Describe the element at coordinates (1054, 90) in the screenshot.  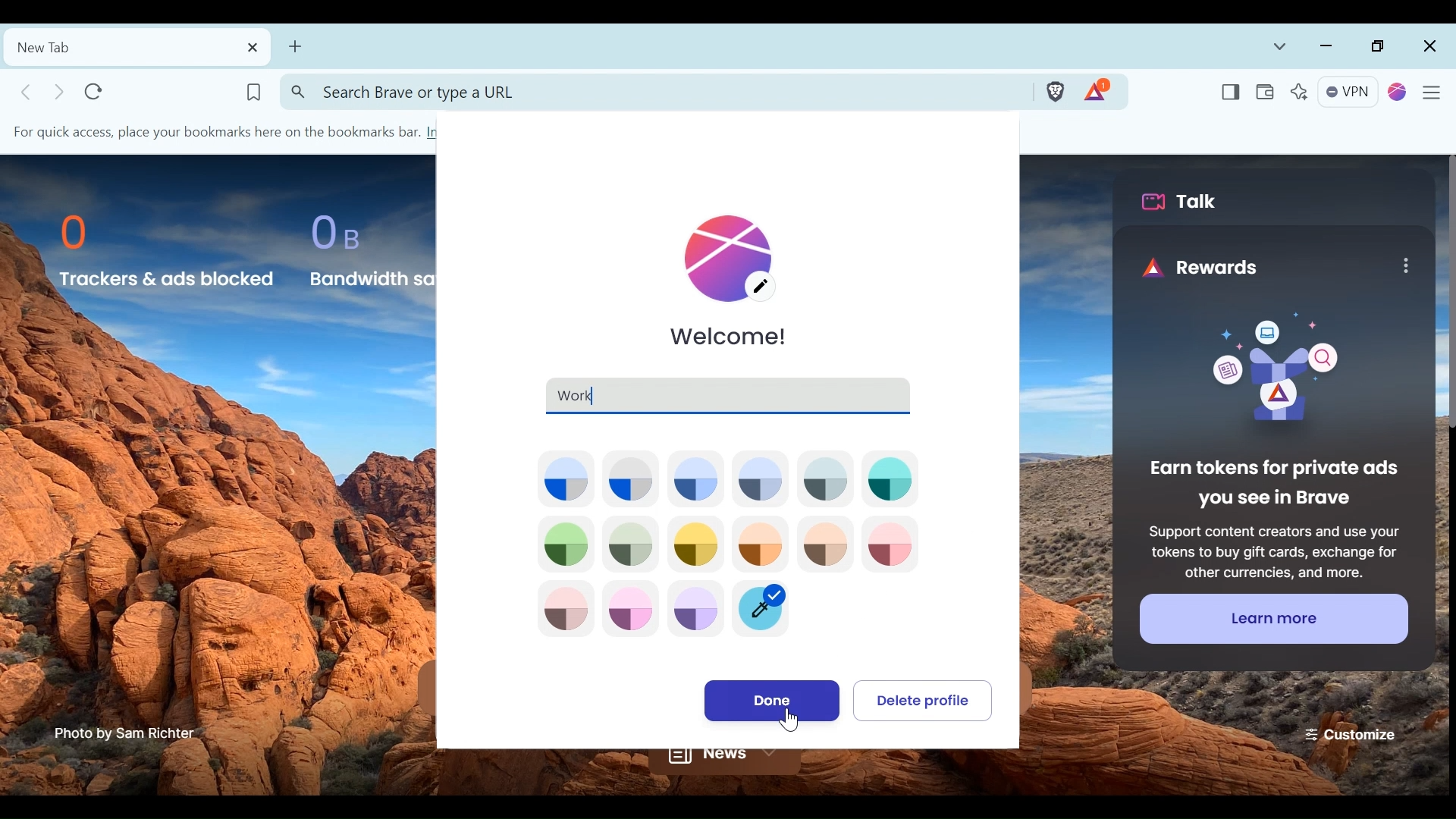
I see `Brave Shield` at that location.